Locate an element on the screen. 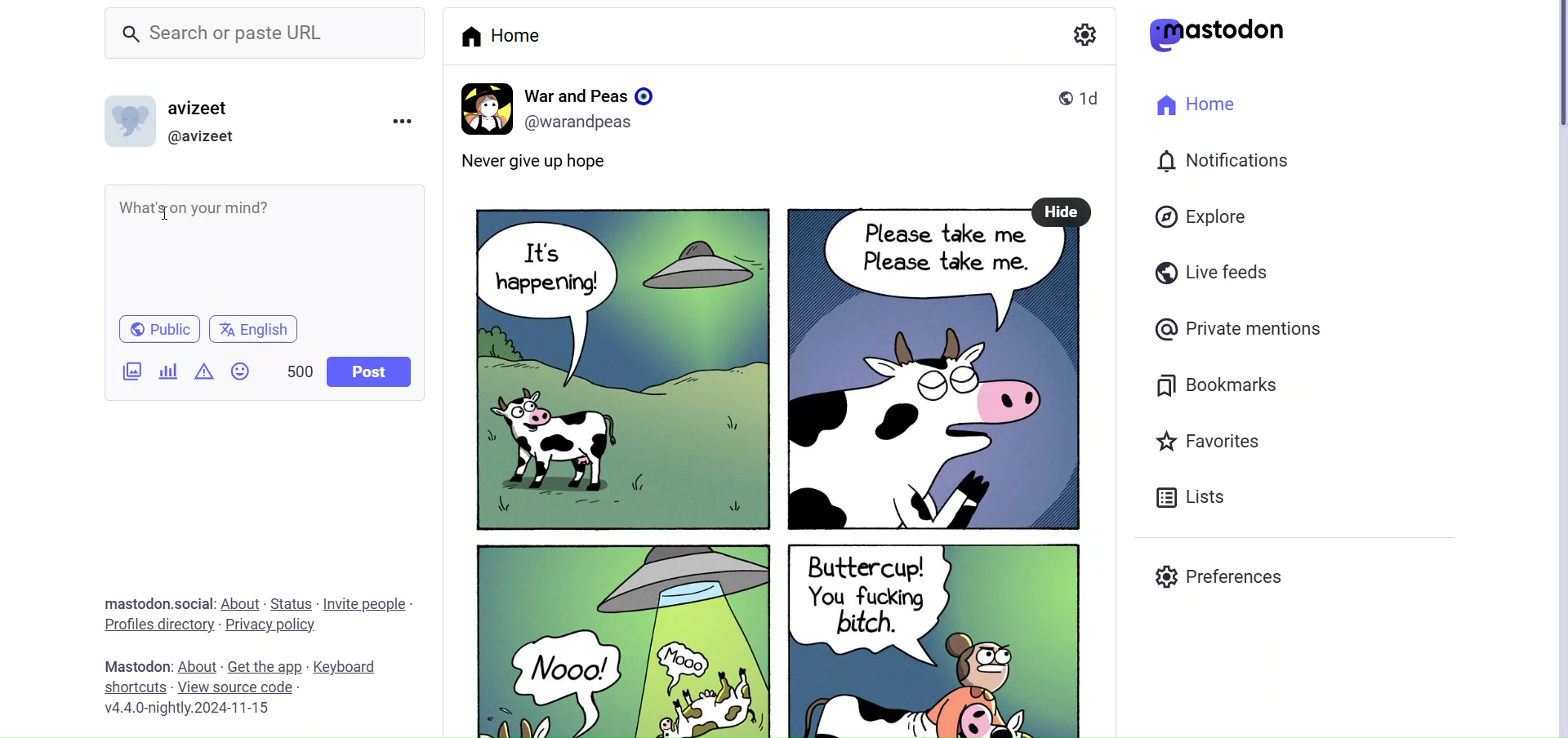  Favorites is located at coordinates (1207, 440).